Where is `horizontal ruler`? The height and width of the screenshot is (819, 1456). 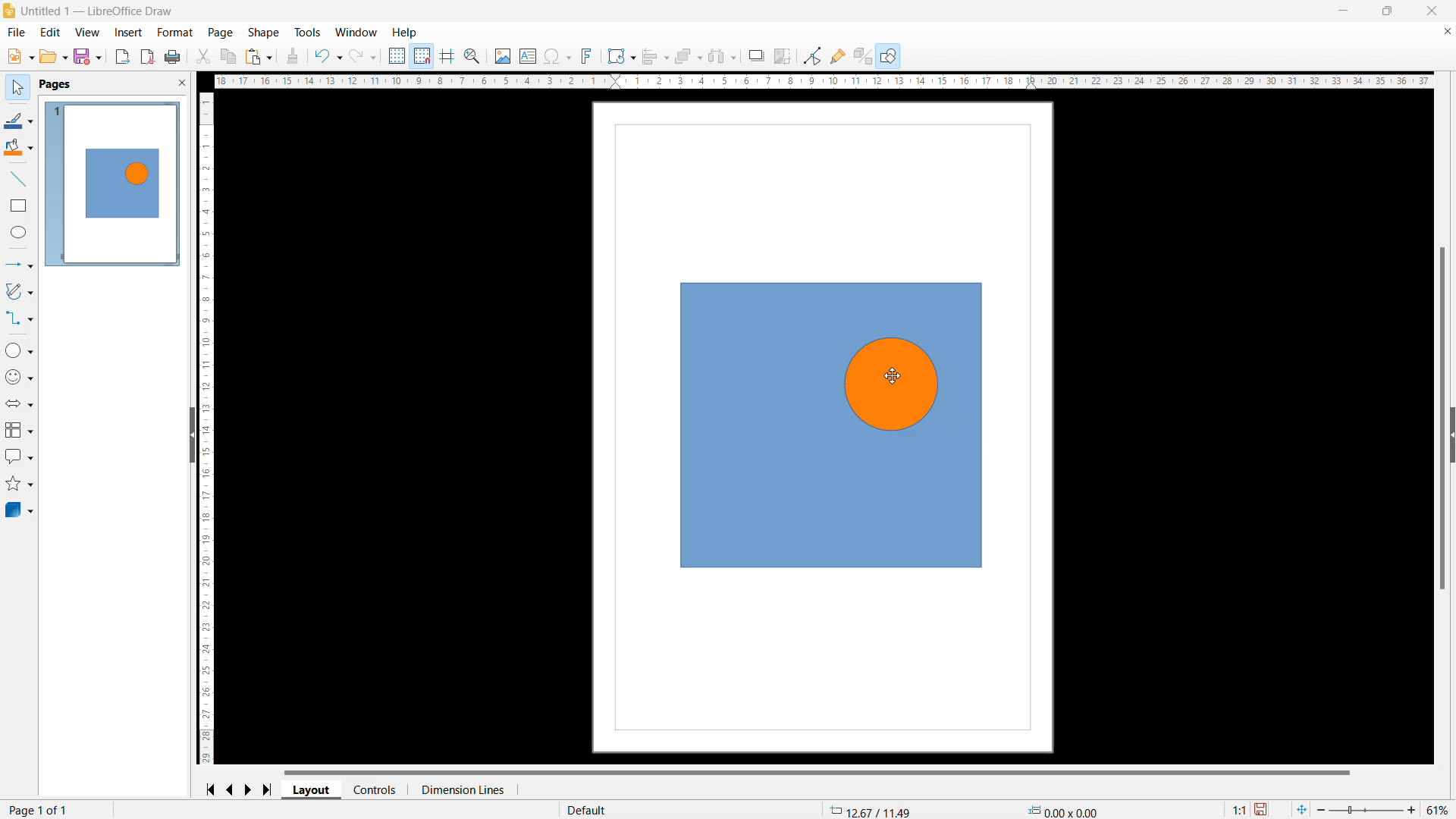
horizontal ruler is located at coordinates (822, 81).